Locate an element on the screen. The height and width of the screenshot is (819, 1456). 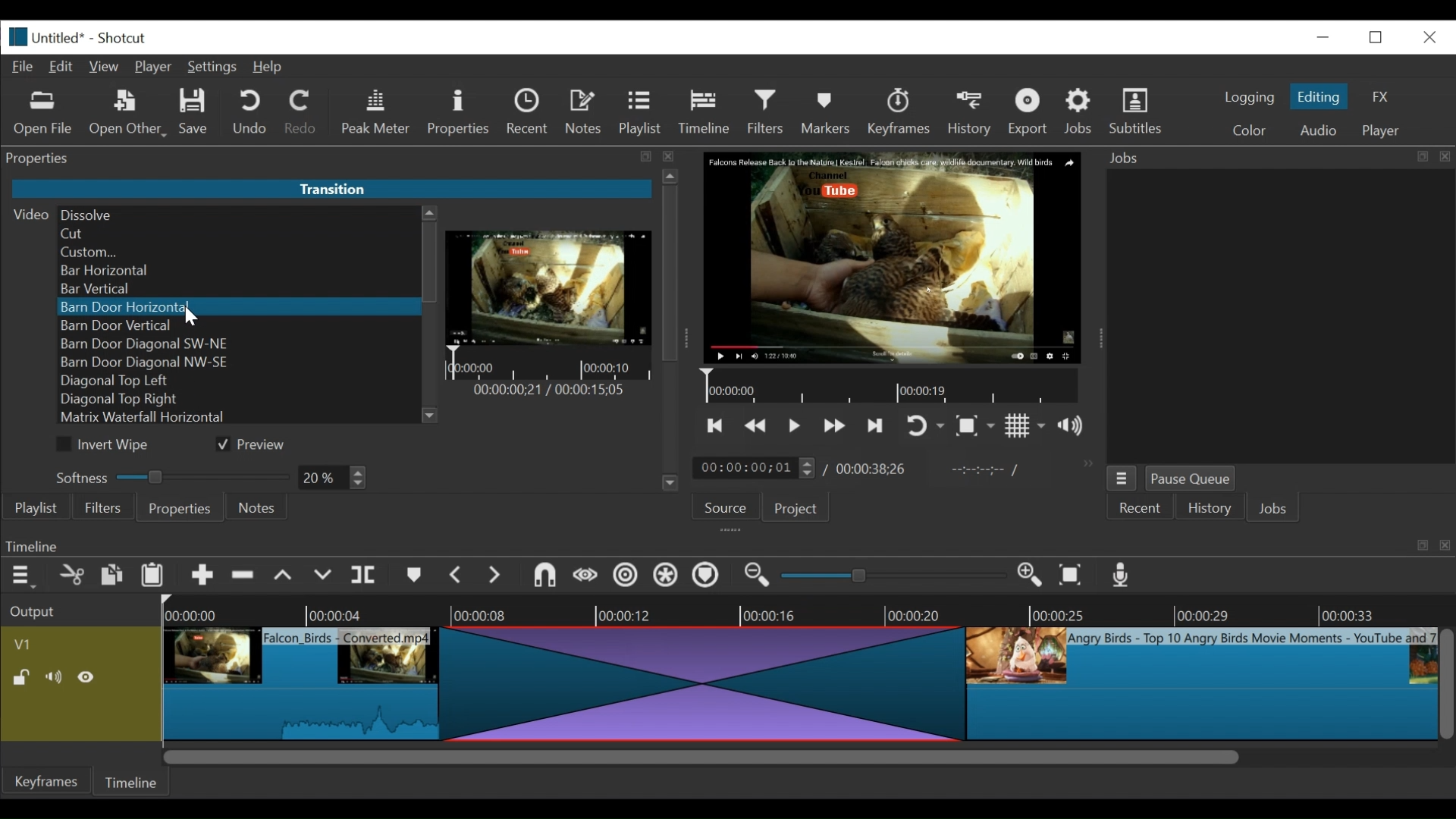
History is located at coordinates (1210, 510).